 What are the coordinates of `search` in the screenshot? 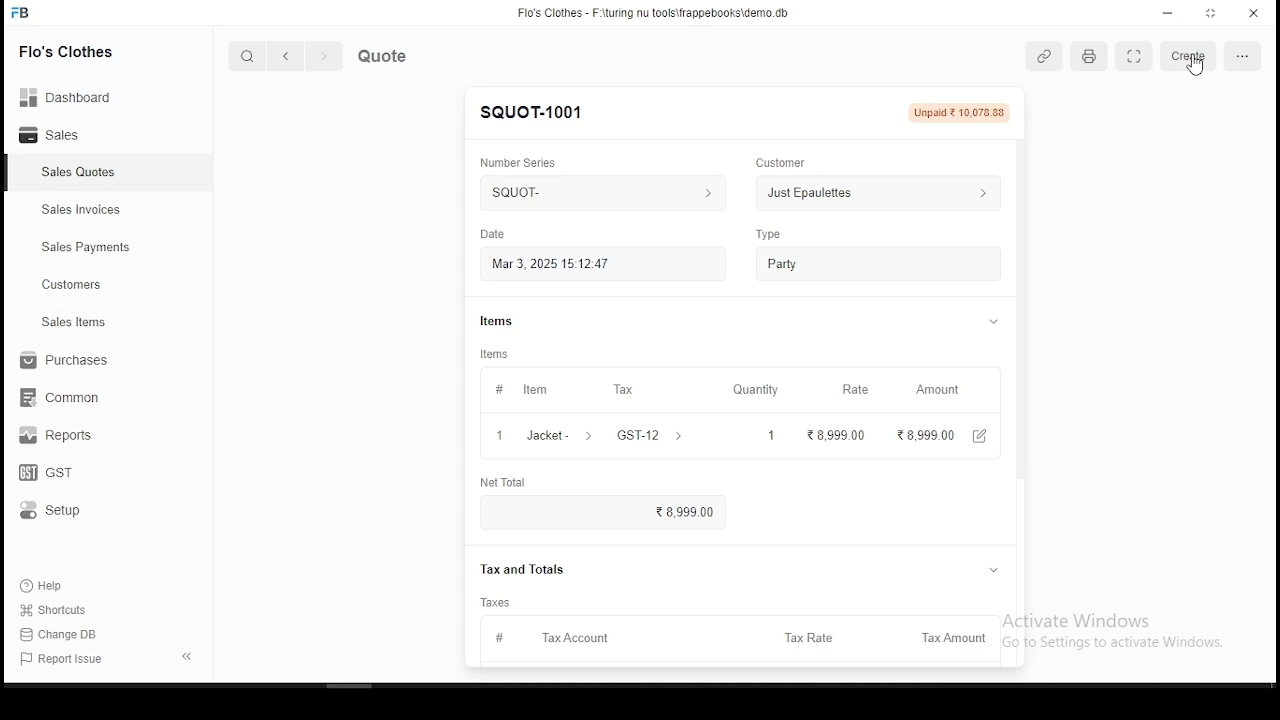 It's located at (247, 55).